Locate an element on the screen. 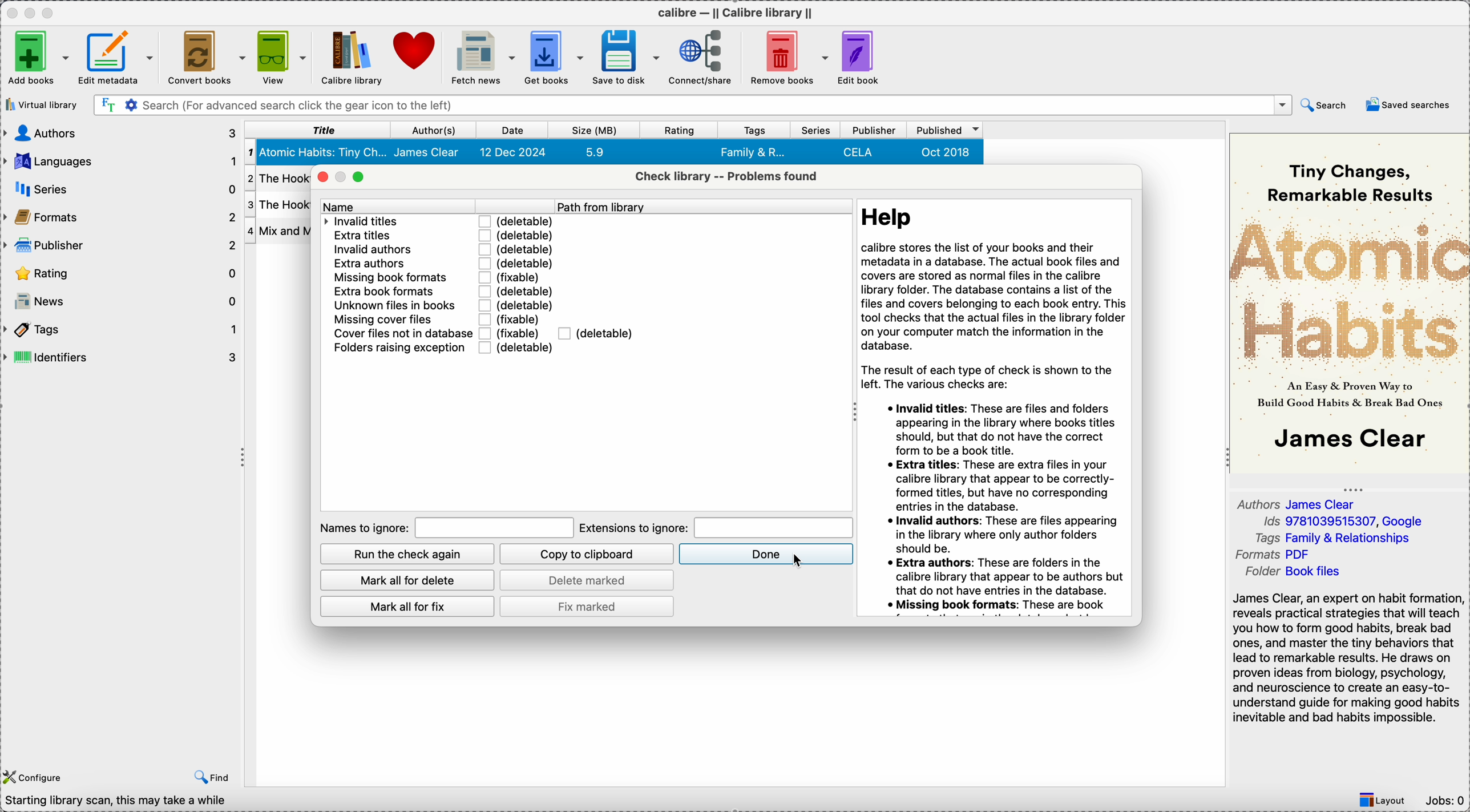  deletable is located at coordinates (518, 304).